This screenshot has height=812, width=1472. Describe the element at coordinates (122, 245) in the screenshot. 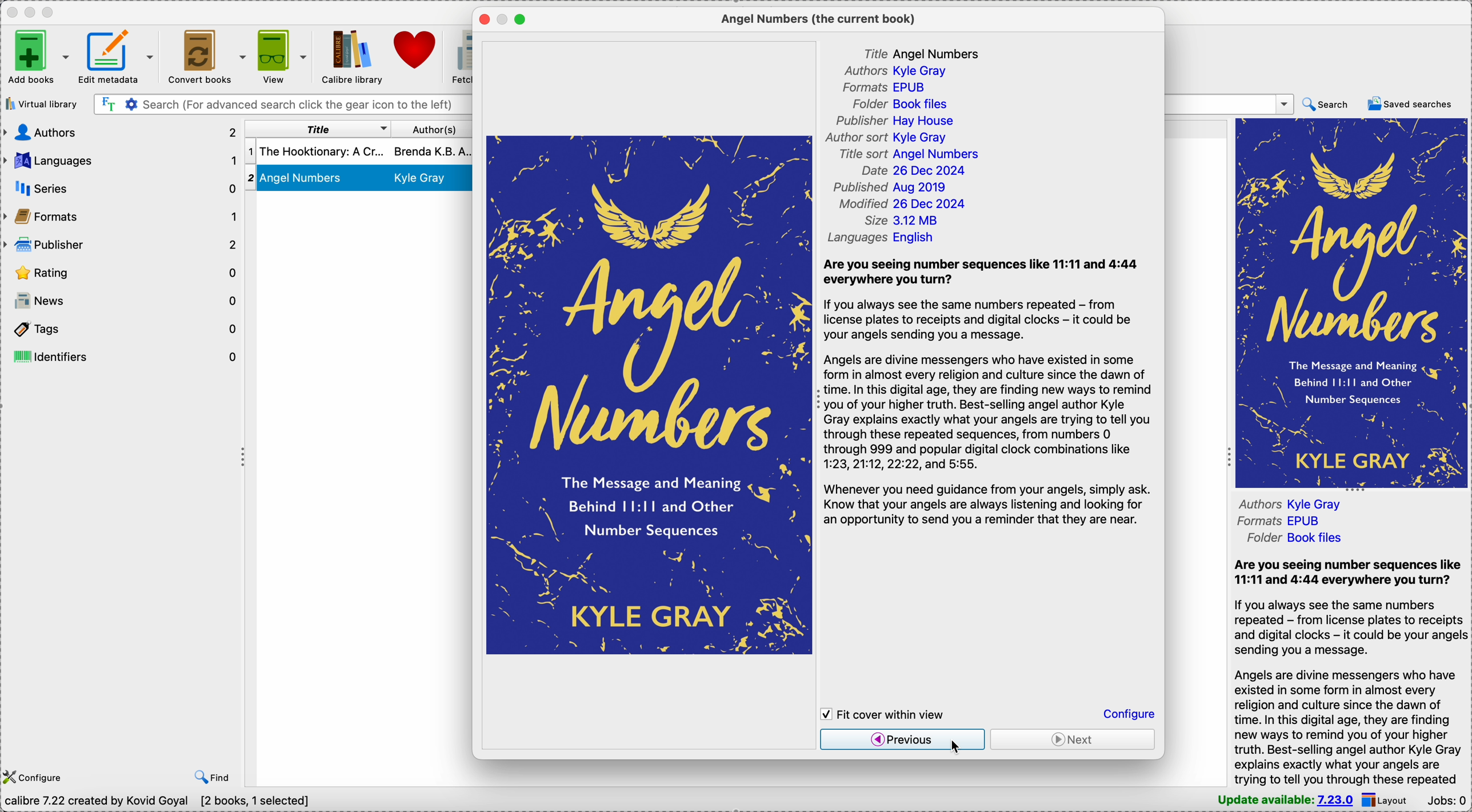

I see `publisher` at that location.